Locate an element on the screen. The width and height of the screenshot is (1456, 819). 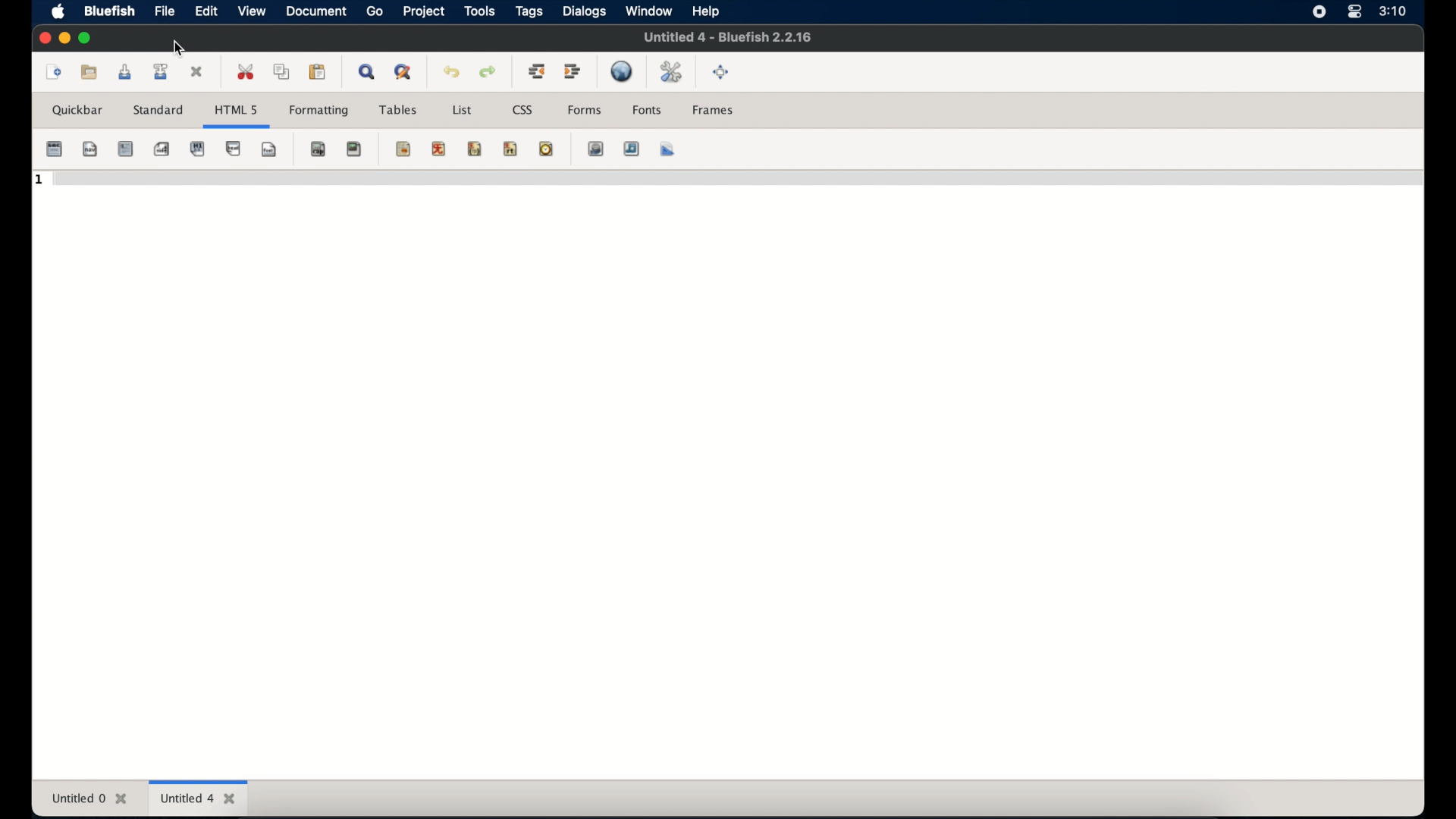
preview in browser is located at coordinates (623, 71).